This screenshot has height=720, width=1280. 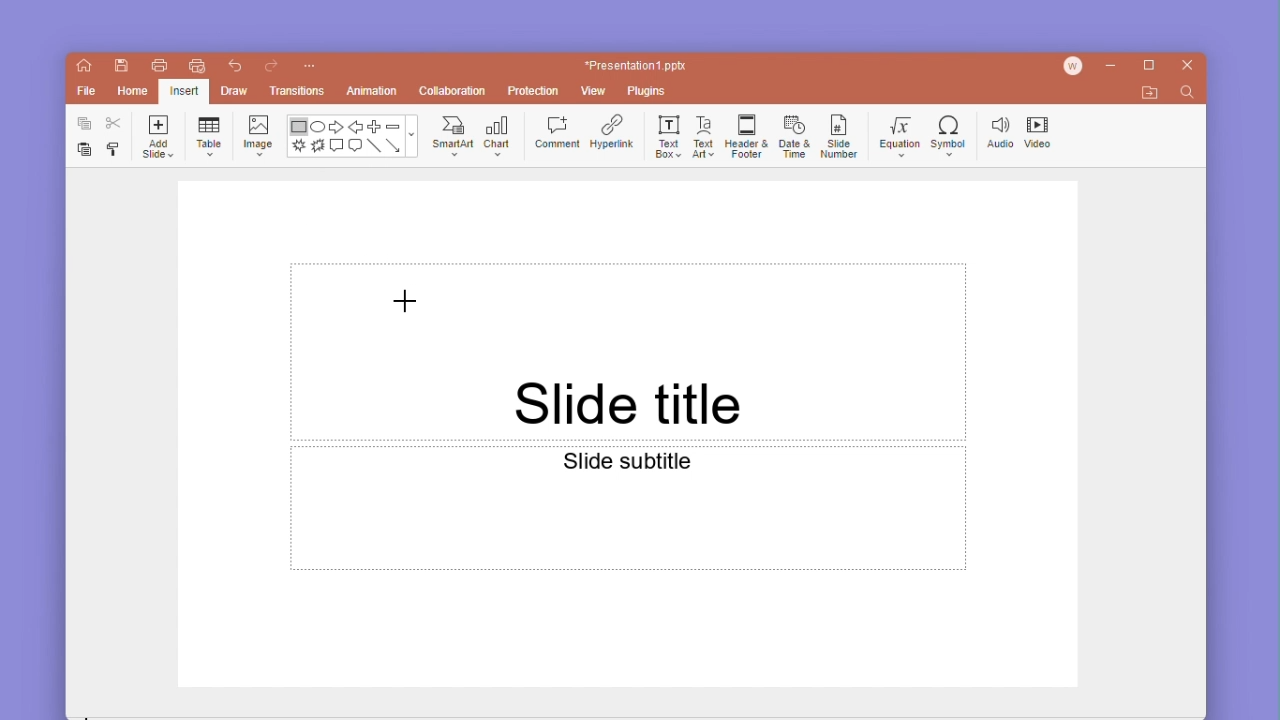 I want to click on comment text box, so click(x=336, y=146).